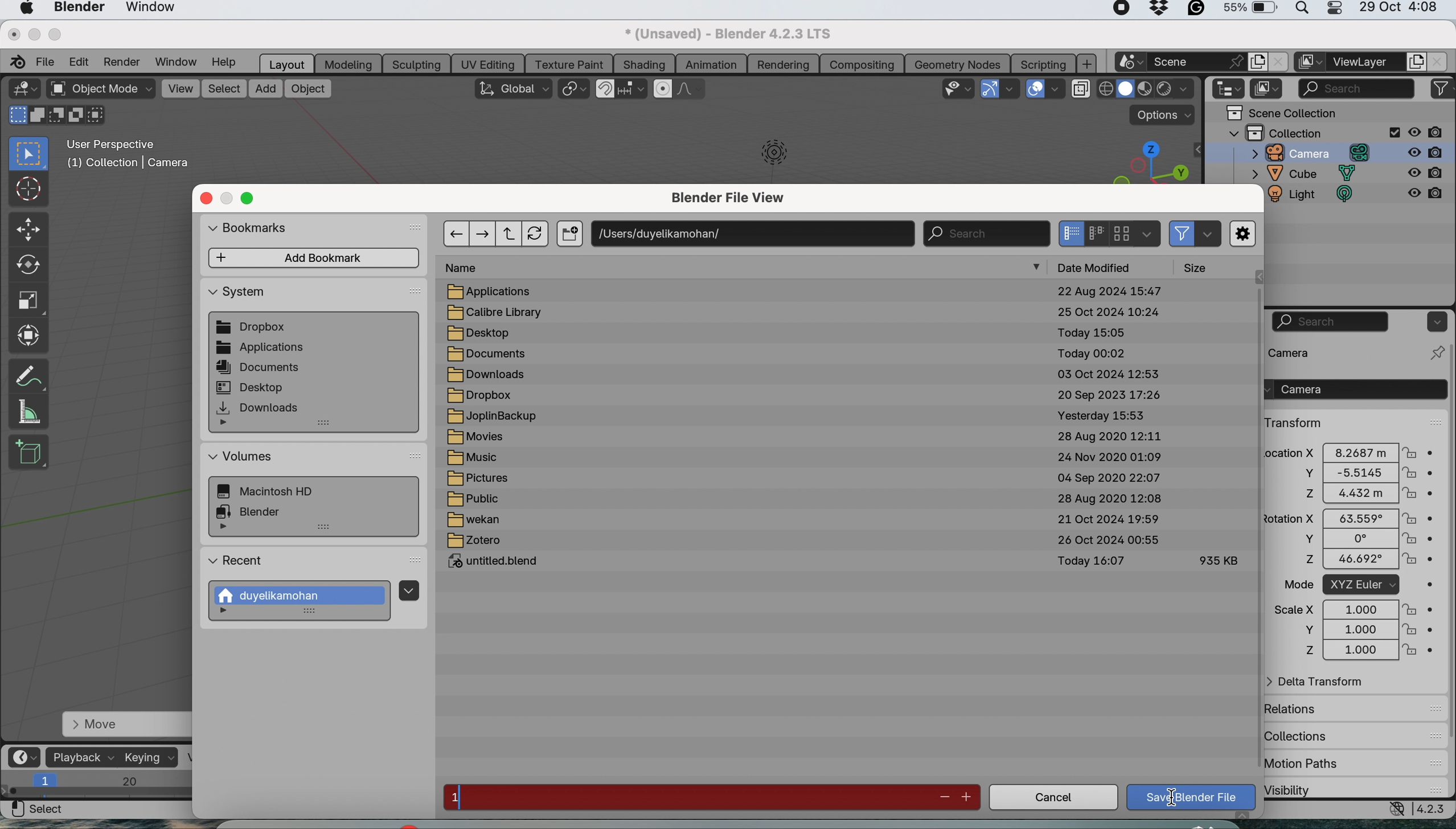  Describe the element at coordinates (711, 65) in the screenshot. I see `animation` at that location.